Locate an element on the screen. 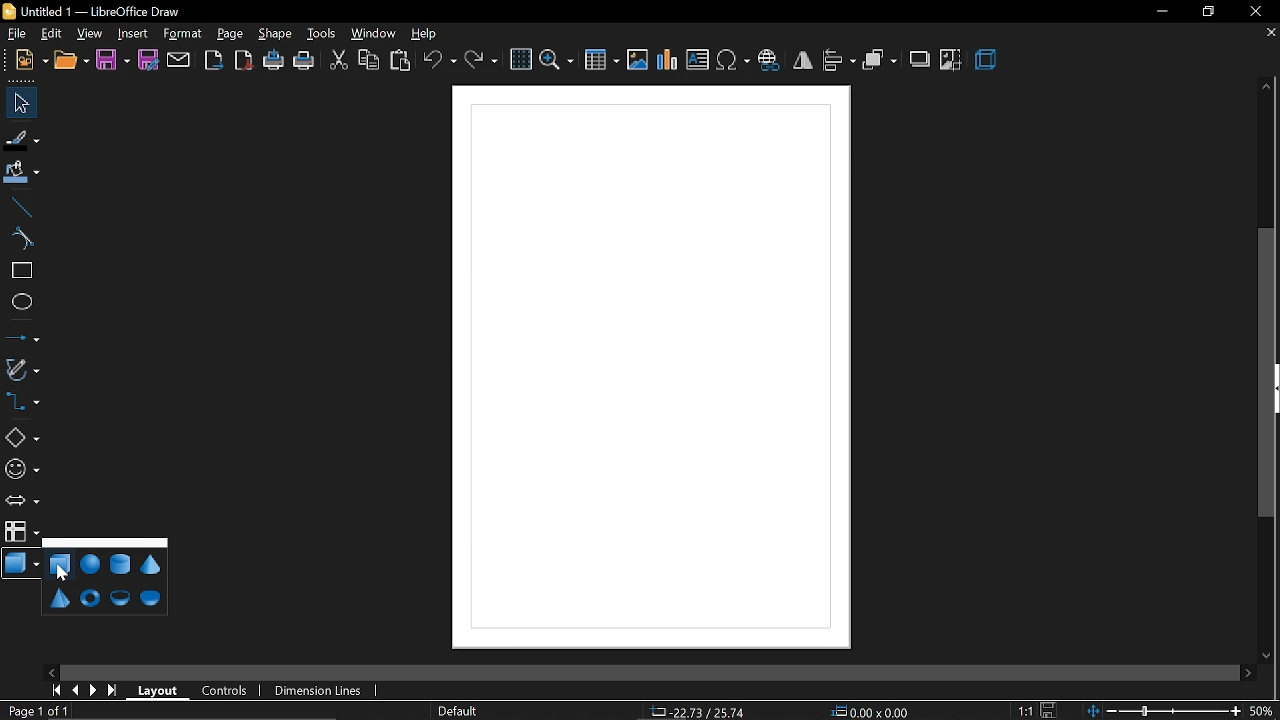 Image resolution: width=1280 pixels, height=720 pixels. arrange is located at coordinates (879, 62).